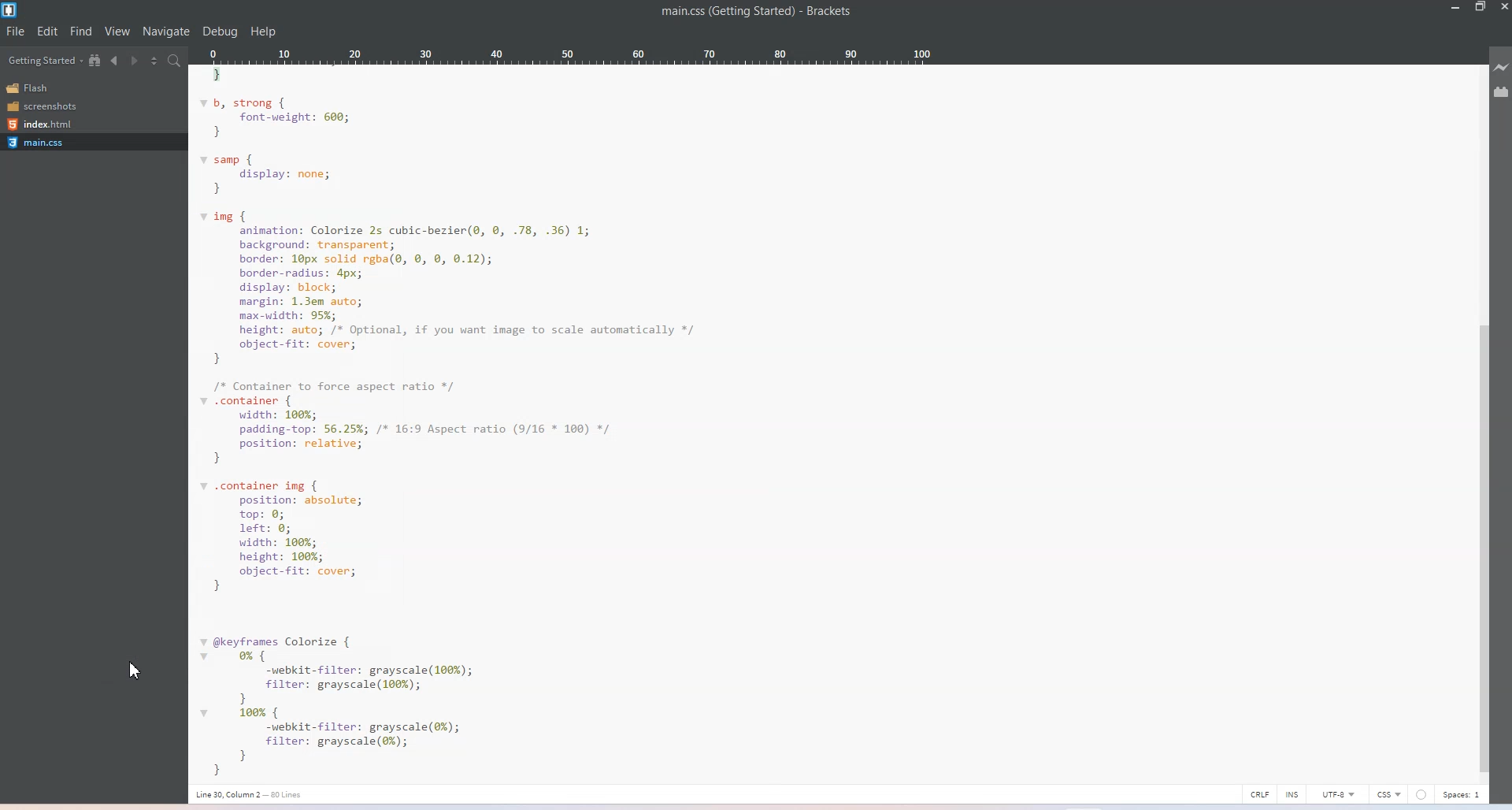 The width and height of the screenshot is (1512, 810). Describe the element at coordinates (264, 32) in the screenshot. I see `Help` at that location.